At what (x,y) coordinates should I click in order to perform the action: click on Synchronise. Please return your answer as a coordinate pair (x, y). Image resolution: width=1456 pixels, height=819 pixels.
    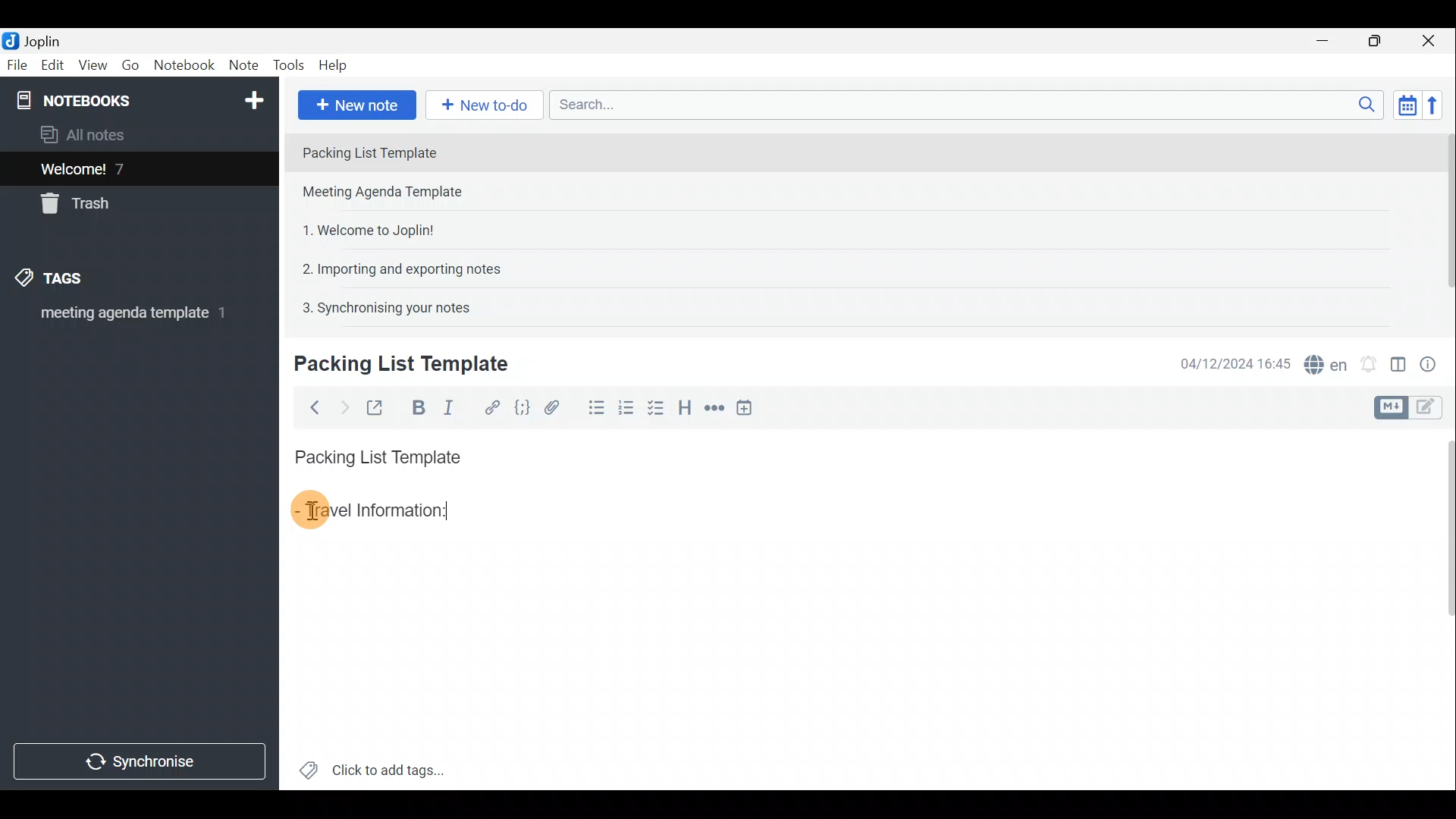
    Looking at the image, I should click on (142, 764).